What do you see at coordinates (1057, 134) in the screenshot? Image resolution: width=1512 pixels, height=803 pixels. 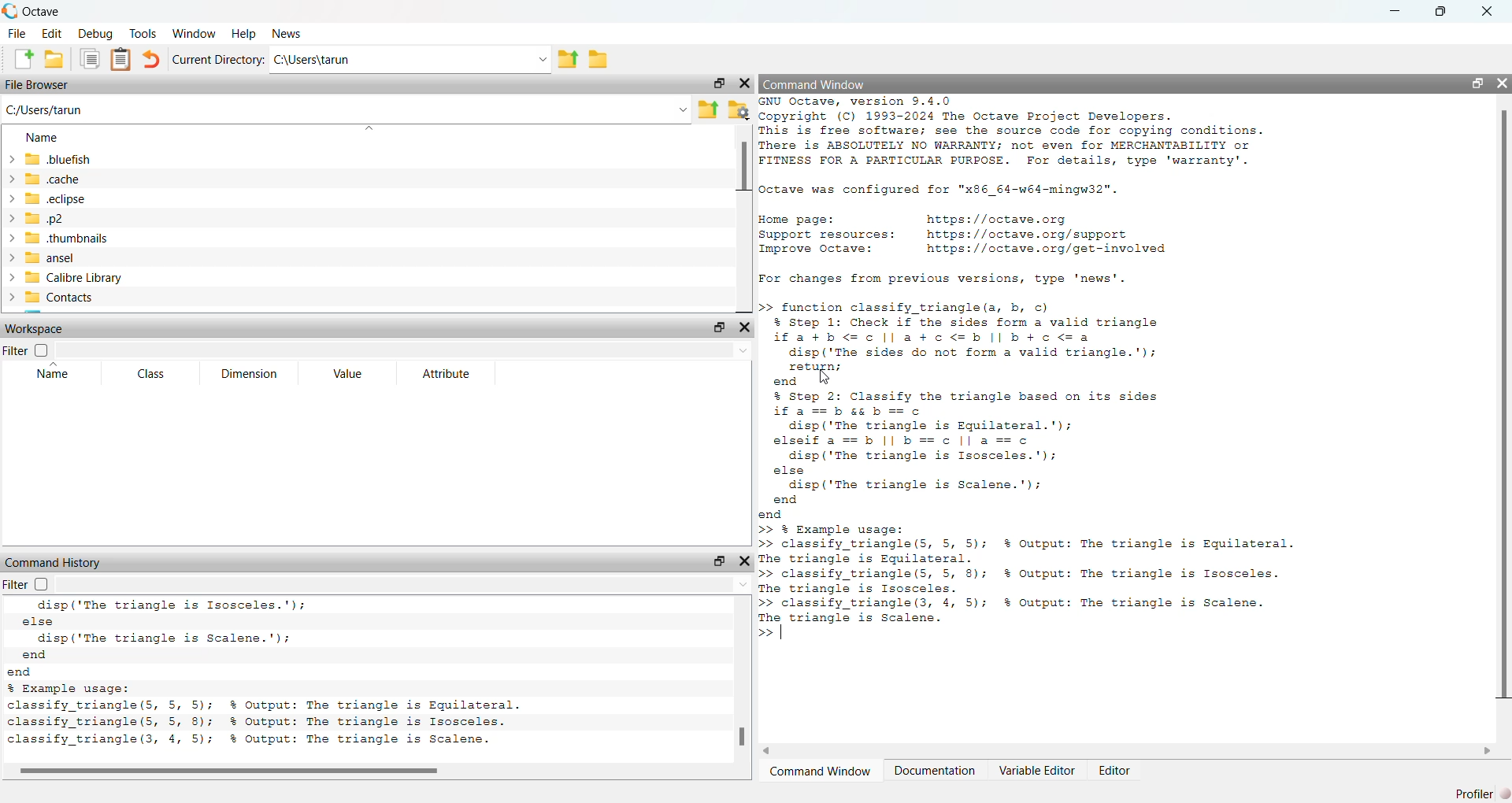 I see `details of version and copyright of octave` at bounding box center [1057, 134].